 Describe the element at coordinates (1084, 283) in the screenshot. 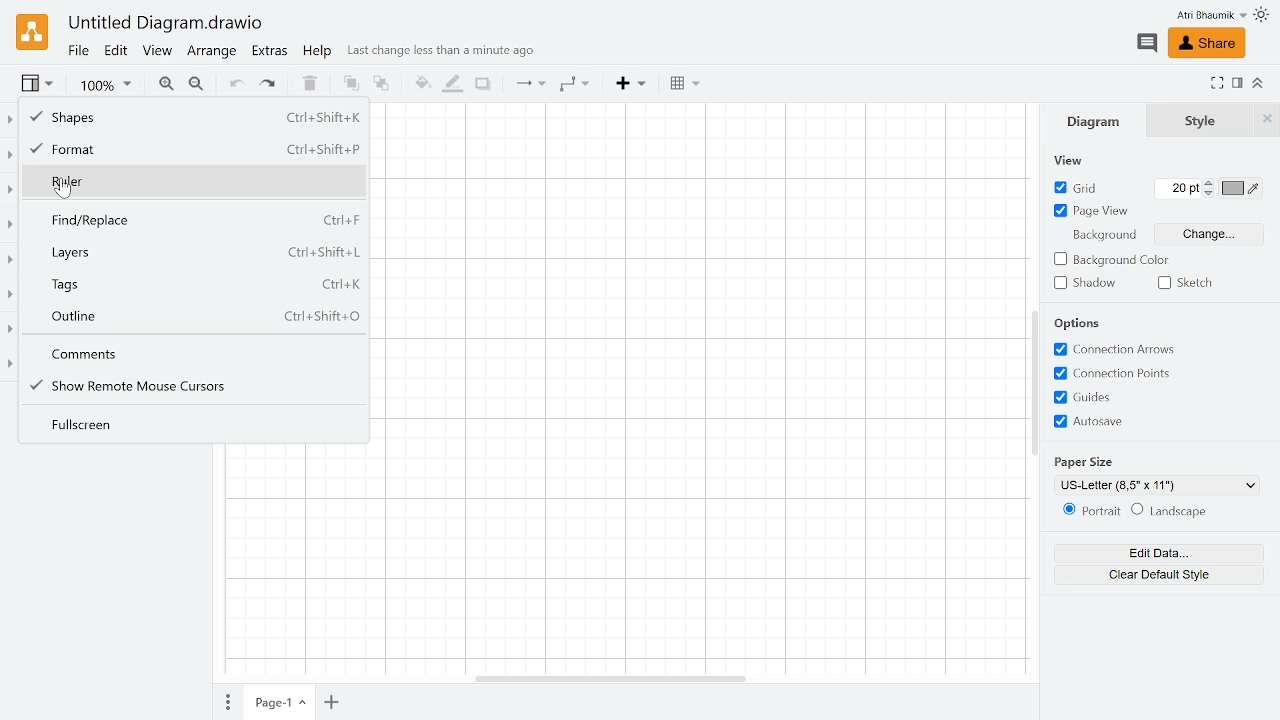

I see `Shadow` at that location.